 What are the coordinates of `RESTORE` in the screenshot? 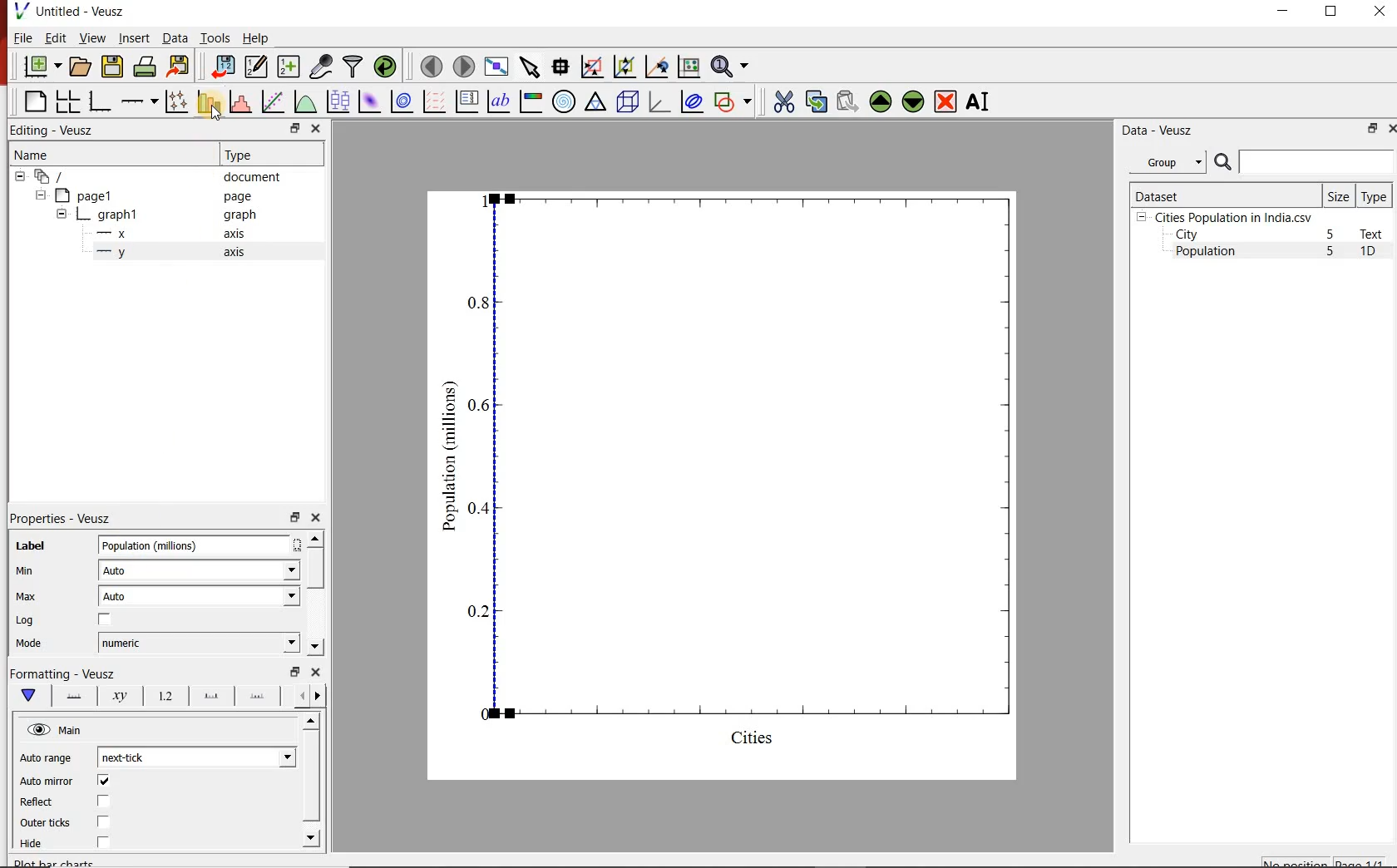 It's located at (1331, 12).